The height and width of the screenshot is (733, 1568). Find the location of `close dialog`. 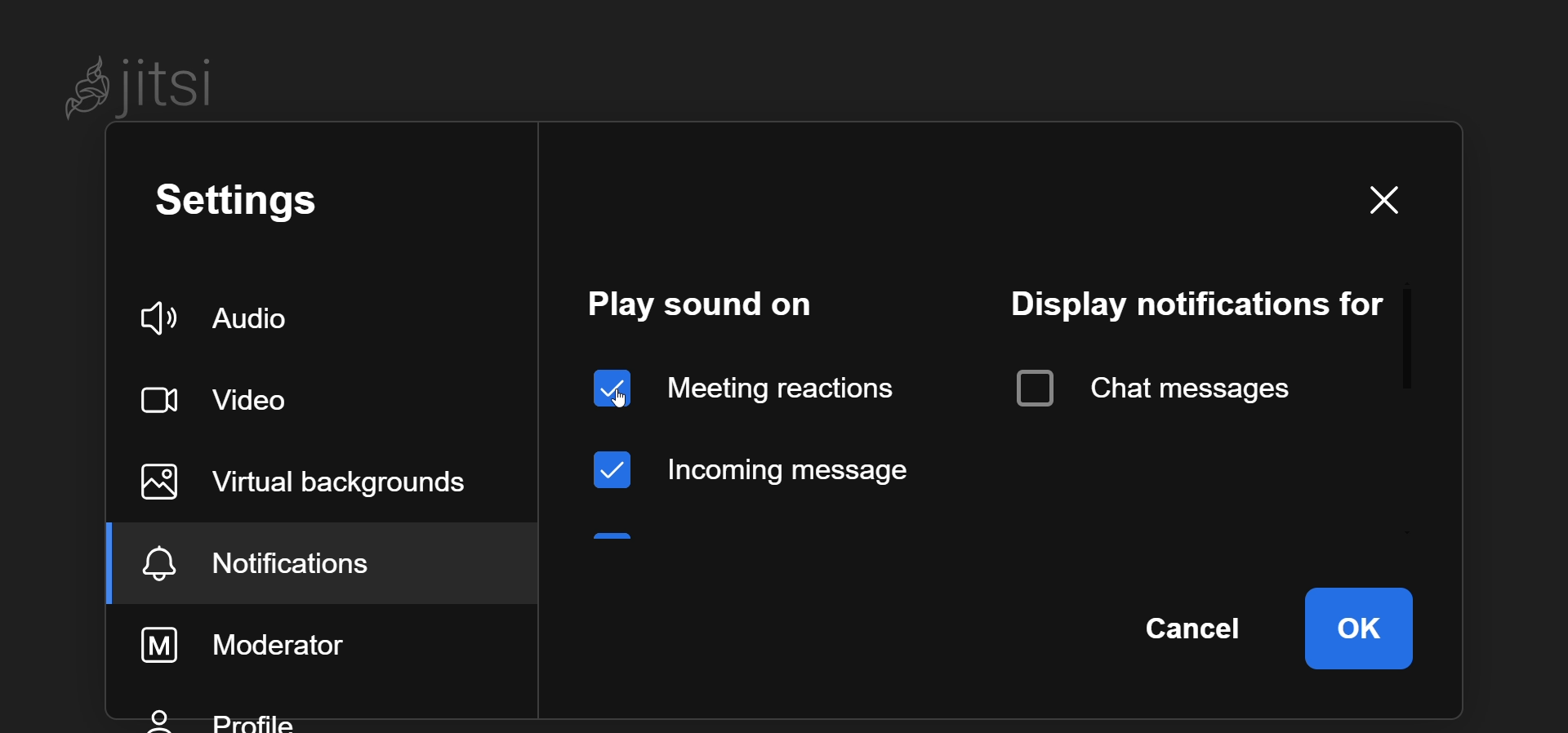

close dialog is located at coordinates (1396, 201).